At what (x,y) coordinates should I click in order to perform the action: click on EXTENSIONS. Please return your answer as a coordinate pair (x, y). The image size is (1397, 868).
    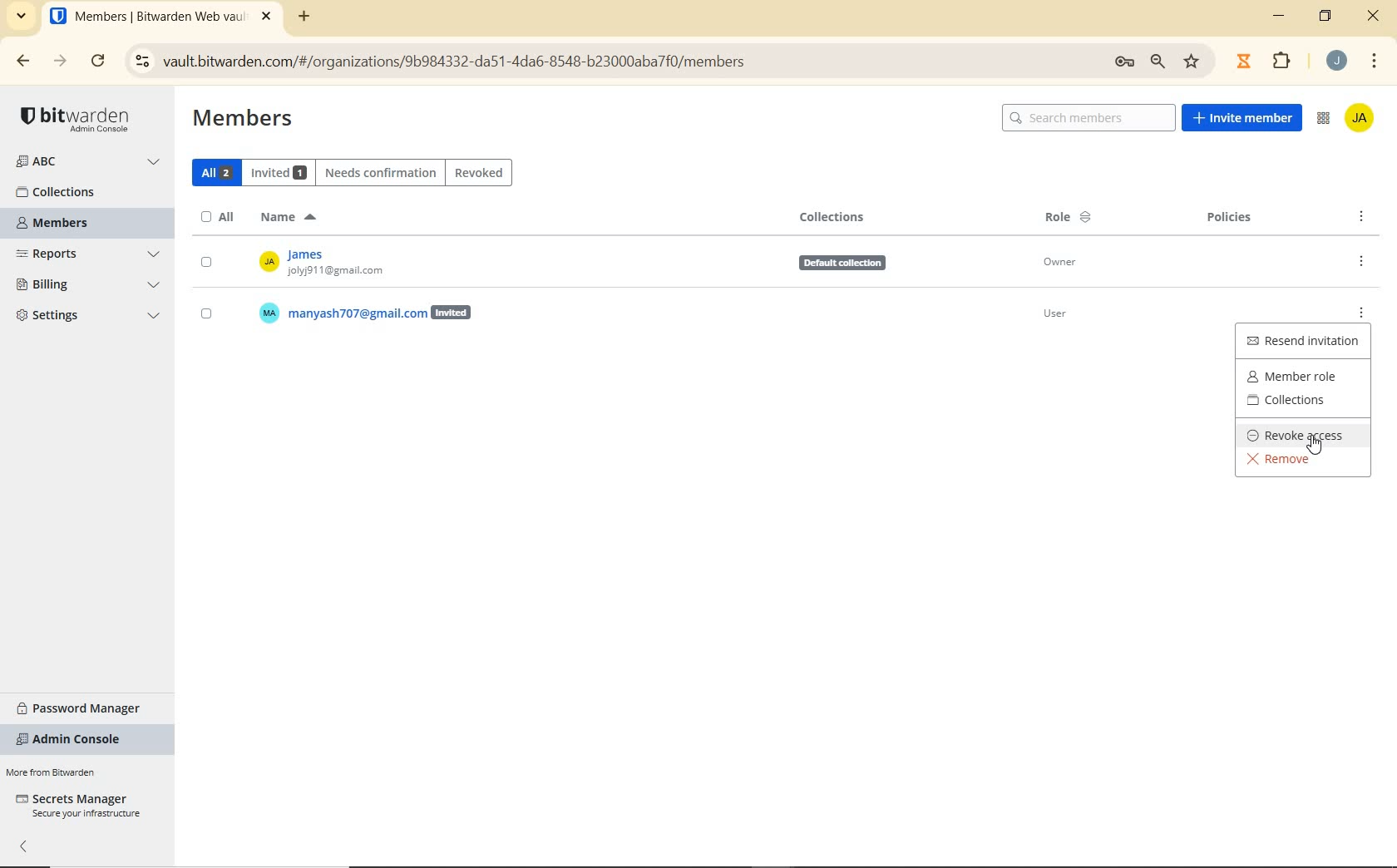
    Looking at the image, I should click on (1266, 60).